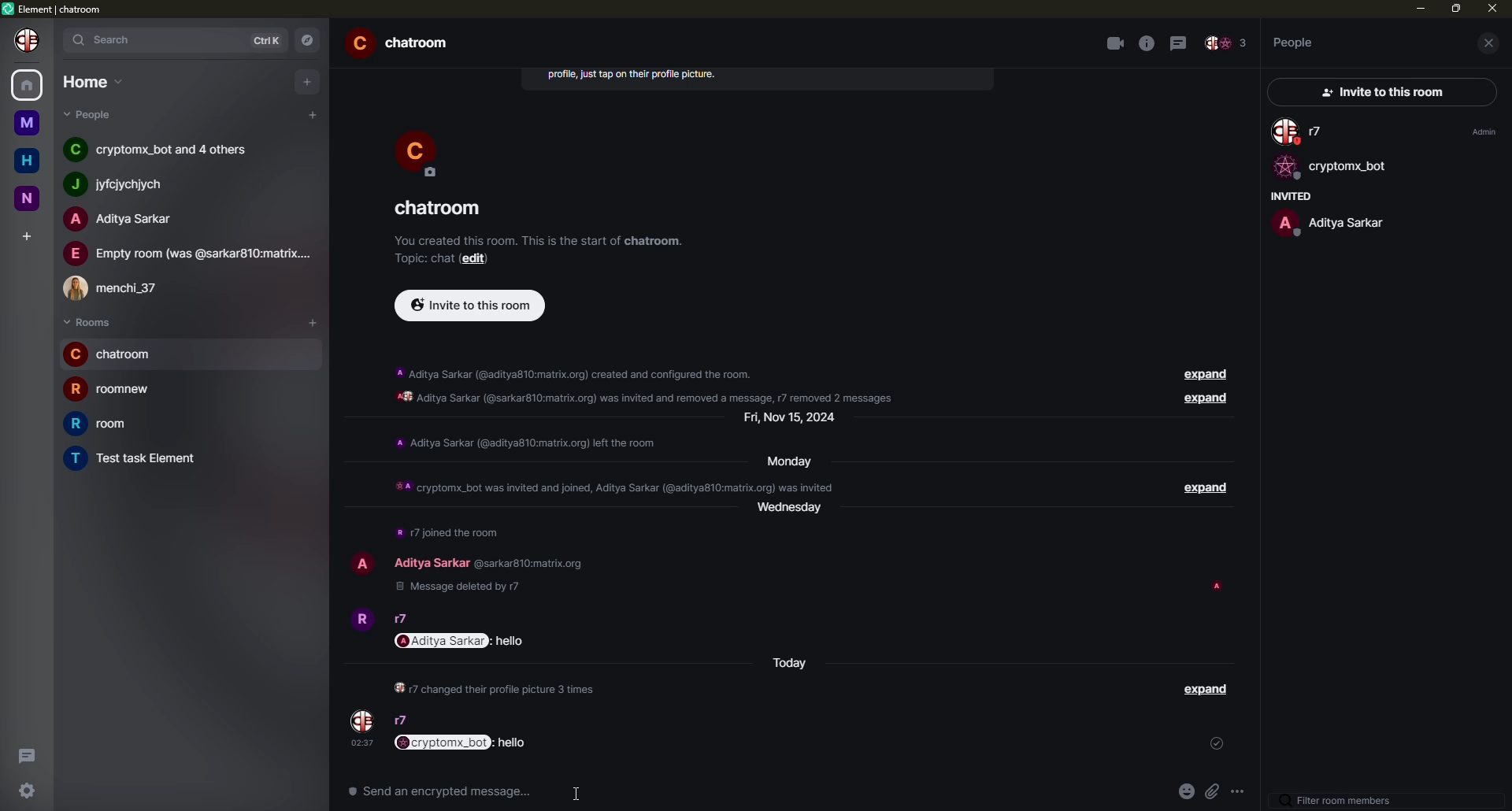  Describe the element at coordinates (527, 565) in the screenshot. I see `id` at that location.